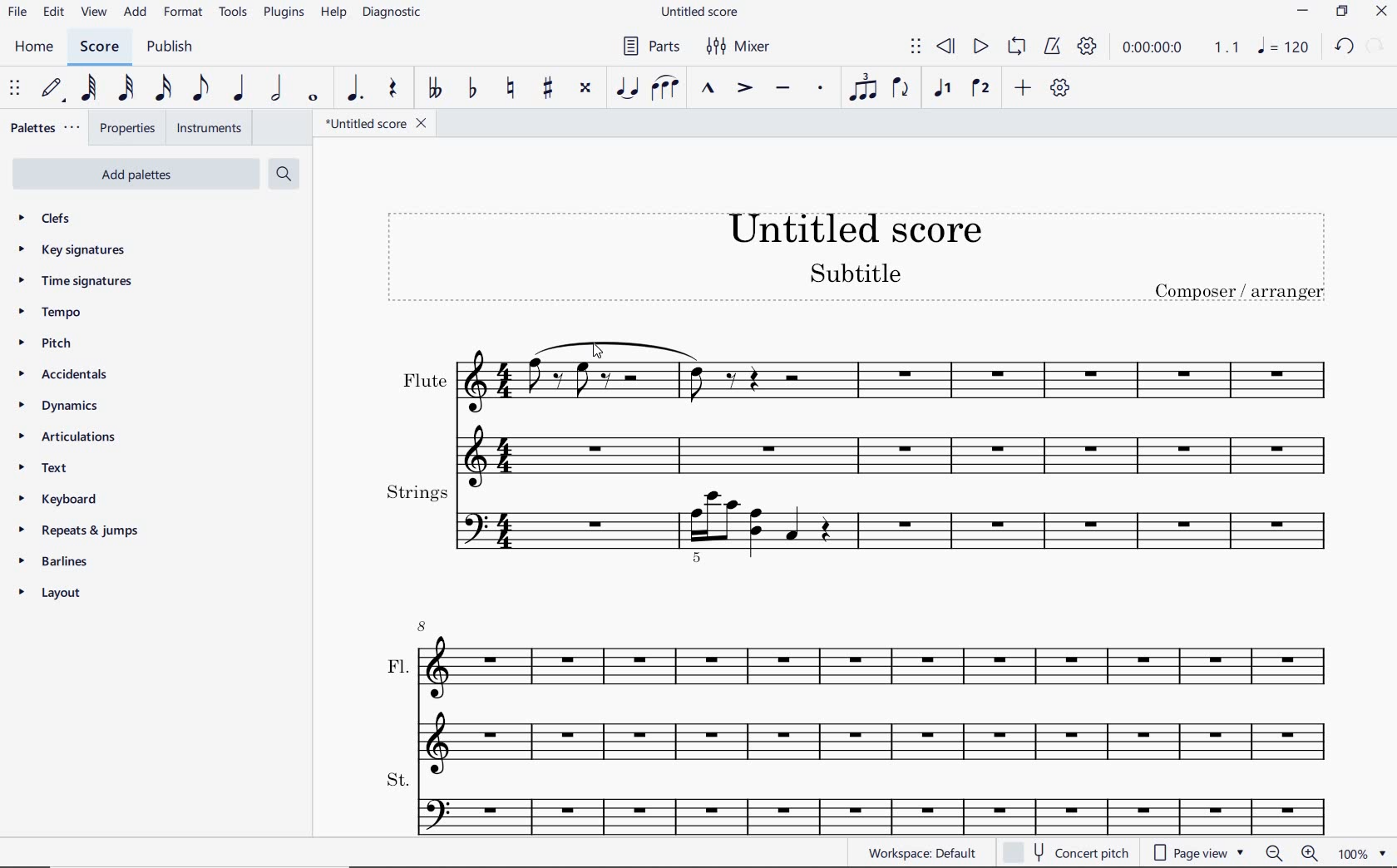  What do you see at coordinates (471, 91) in the screenshot?
I see `TOGGLE FLAT` at bounding box center [471, 91].